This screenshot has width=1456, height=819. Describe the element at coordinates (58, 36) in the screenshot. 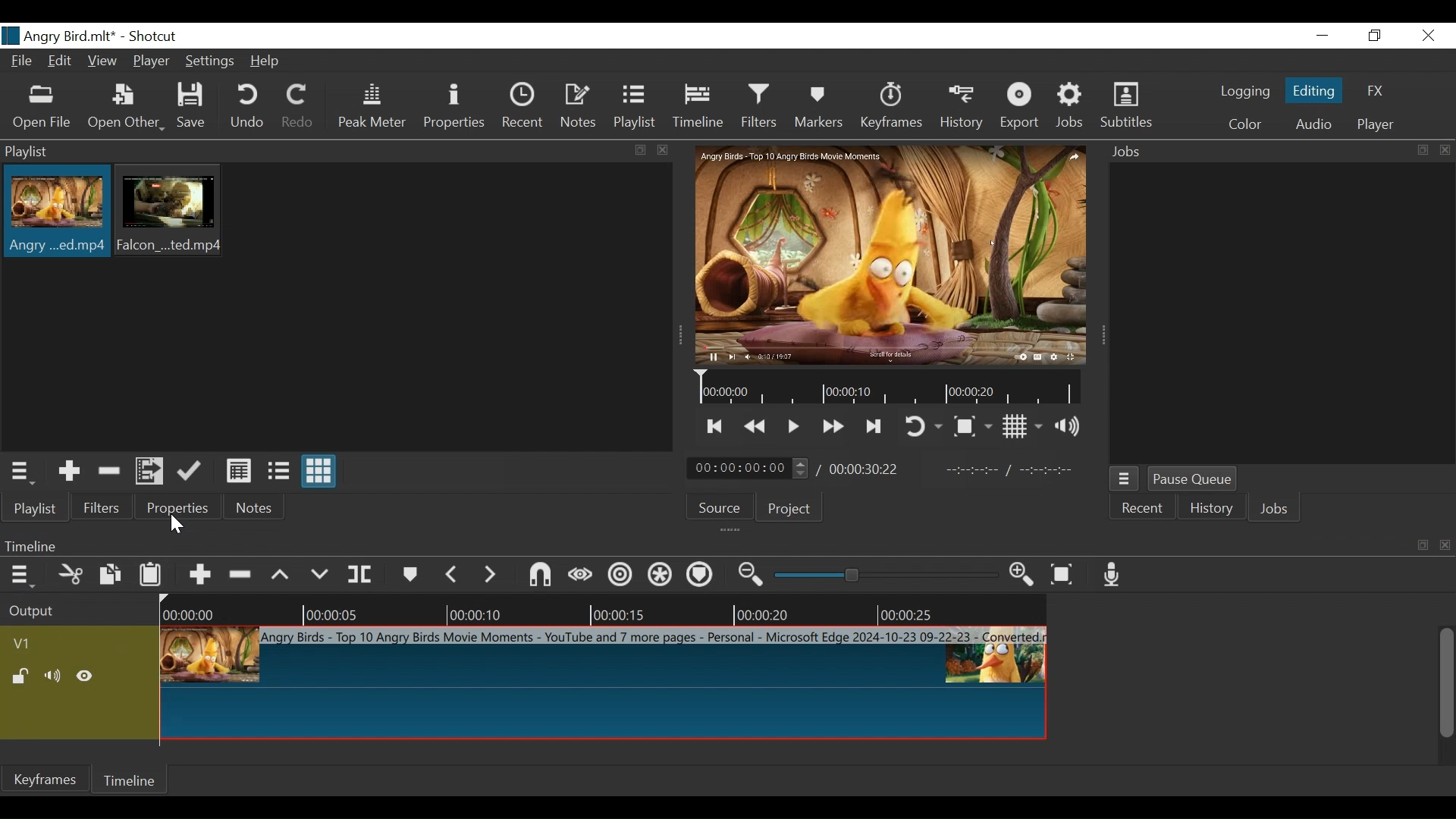

I see `File Name` at that location.